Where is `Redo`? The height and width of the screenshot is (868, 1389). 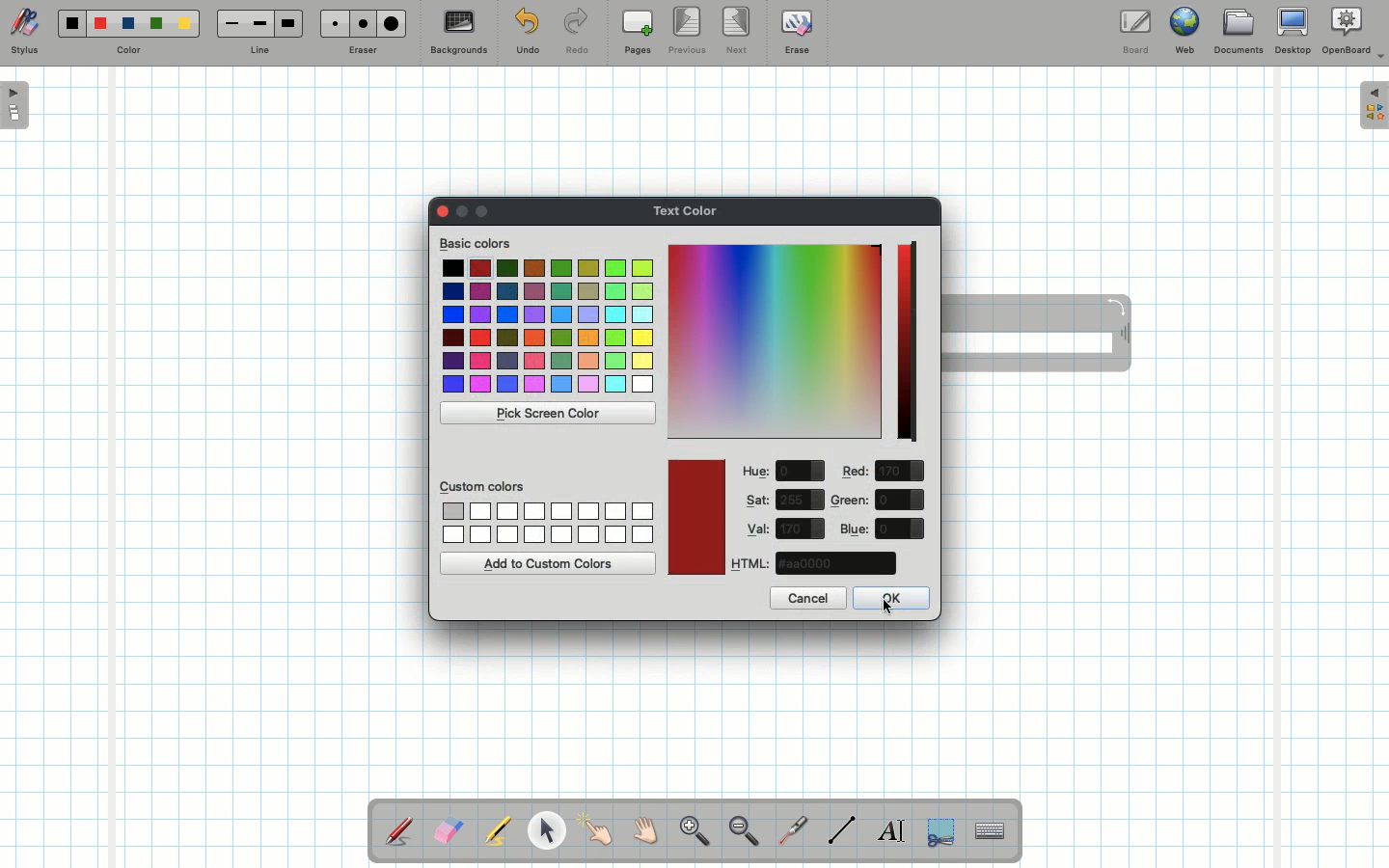 Redo is located at coordinates (577, 35).